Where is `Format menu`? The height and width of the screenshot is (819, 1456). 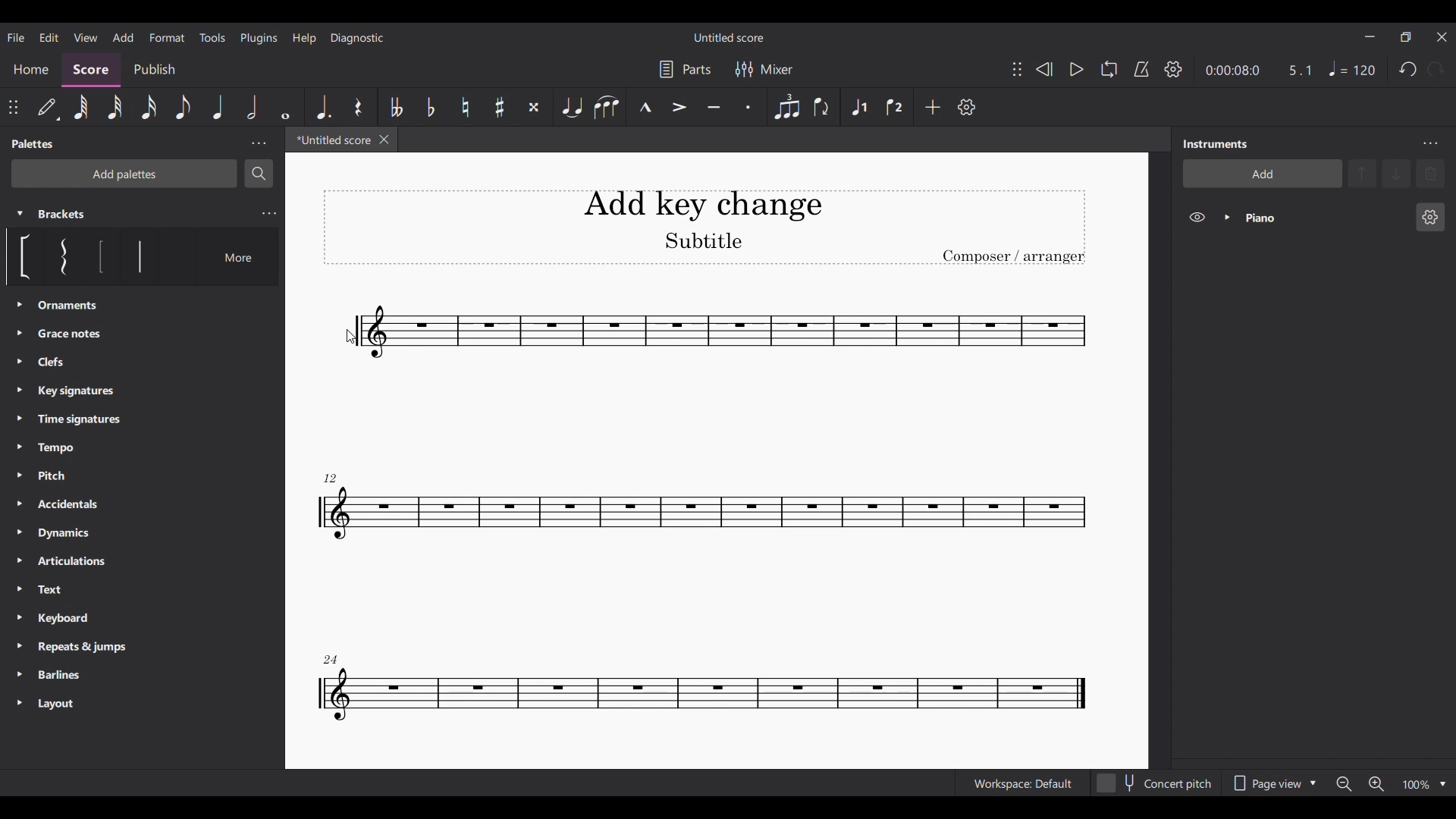 Format menu is located at coordinates (167, 36).